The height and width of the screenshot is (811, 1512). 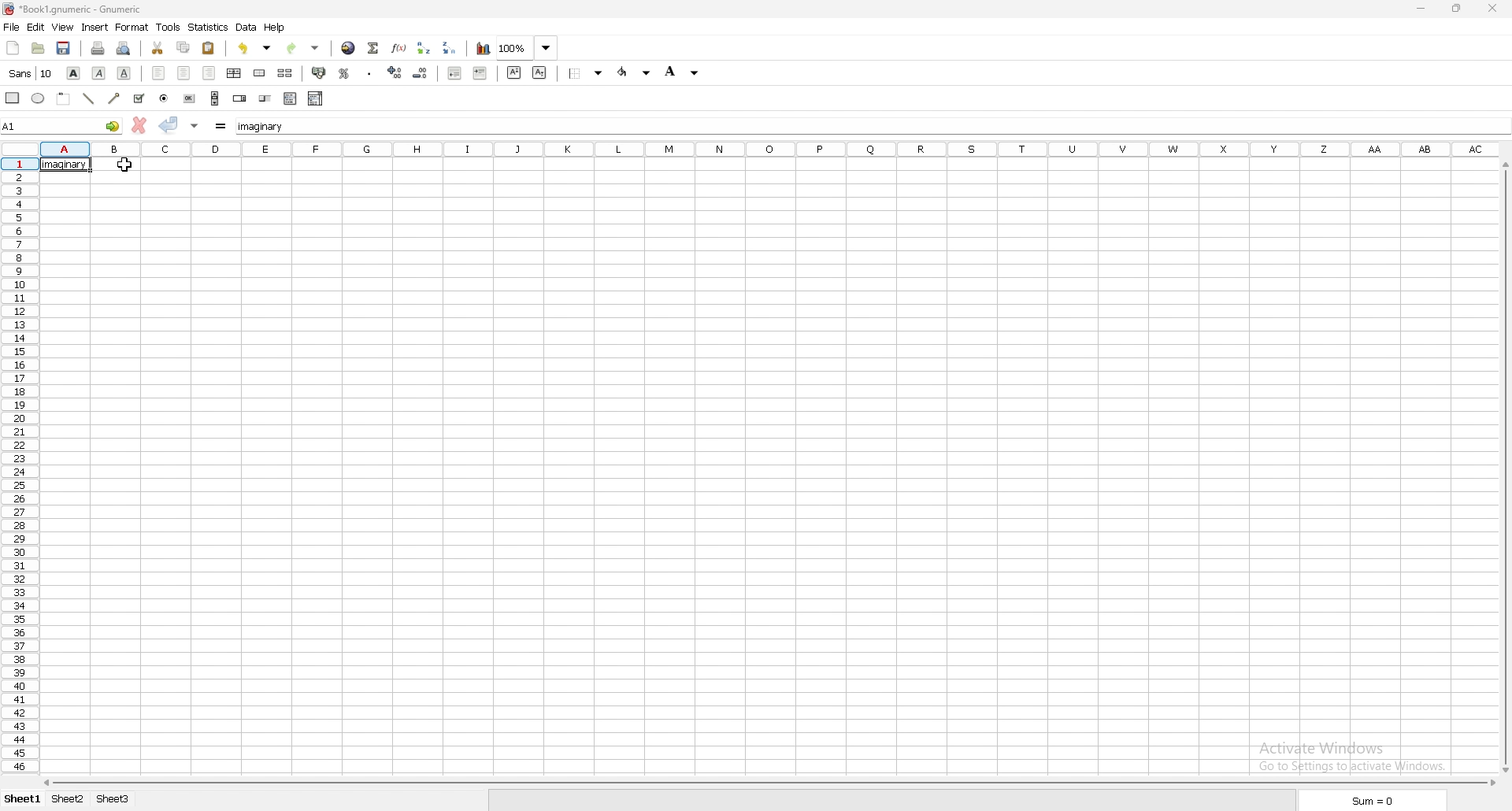 I want to click on accounting, so click(x=319, y=72).